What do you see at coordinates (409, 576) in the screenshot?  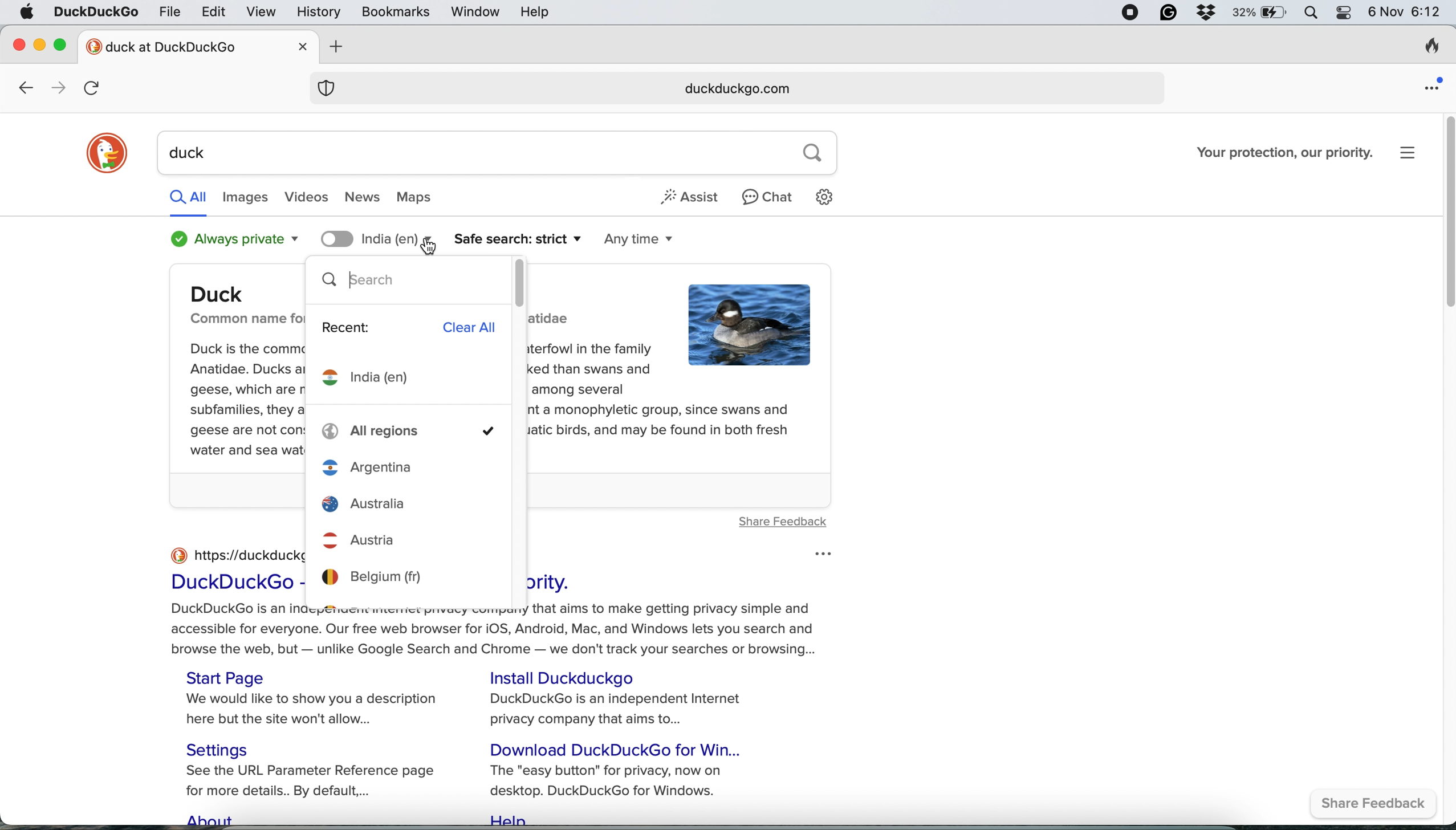 I see `belgium` at bounding box center [409, 576].